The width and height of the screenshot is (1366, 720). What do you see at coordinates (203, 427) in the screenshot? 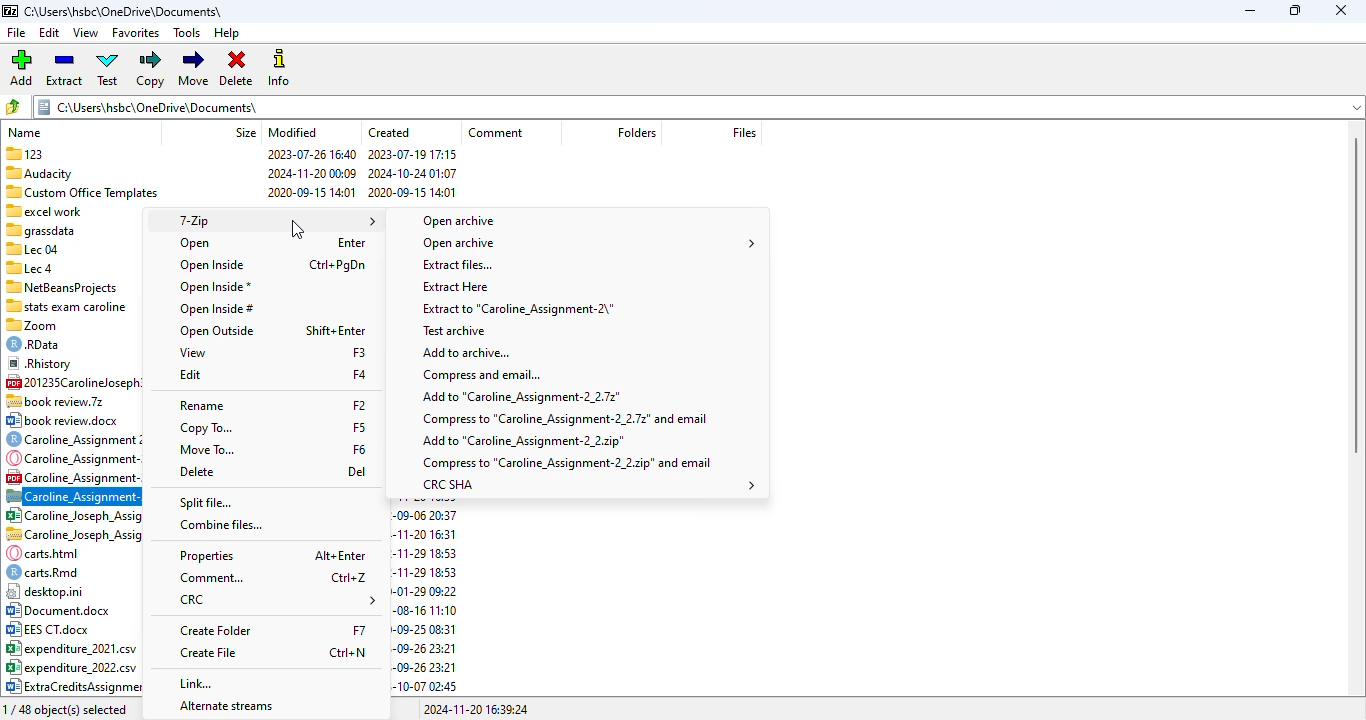
I see `copy to` at bounding box center [203, 427].